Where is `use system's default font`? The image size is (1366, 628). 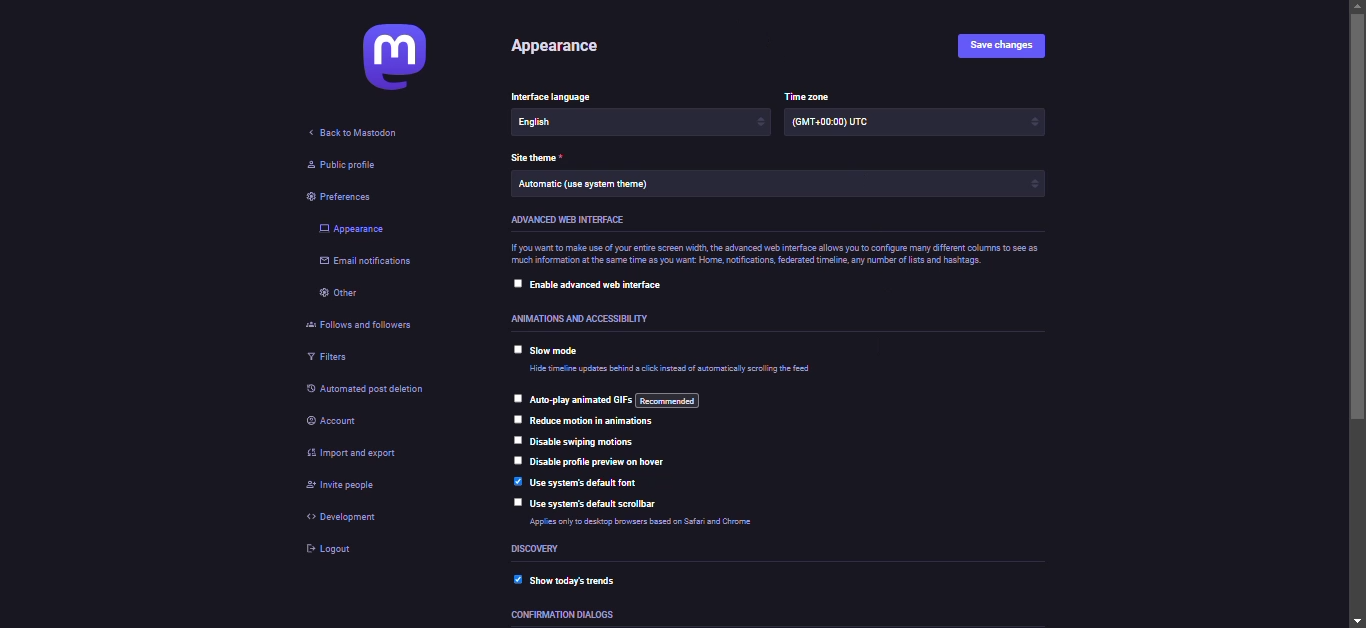 use system's default font is located at coordinates (589, 482).